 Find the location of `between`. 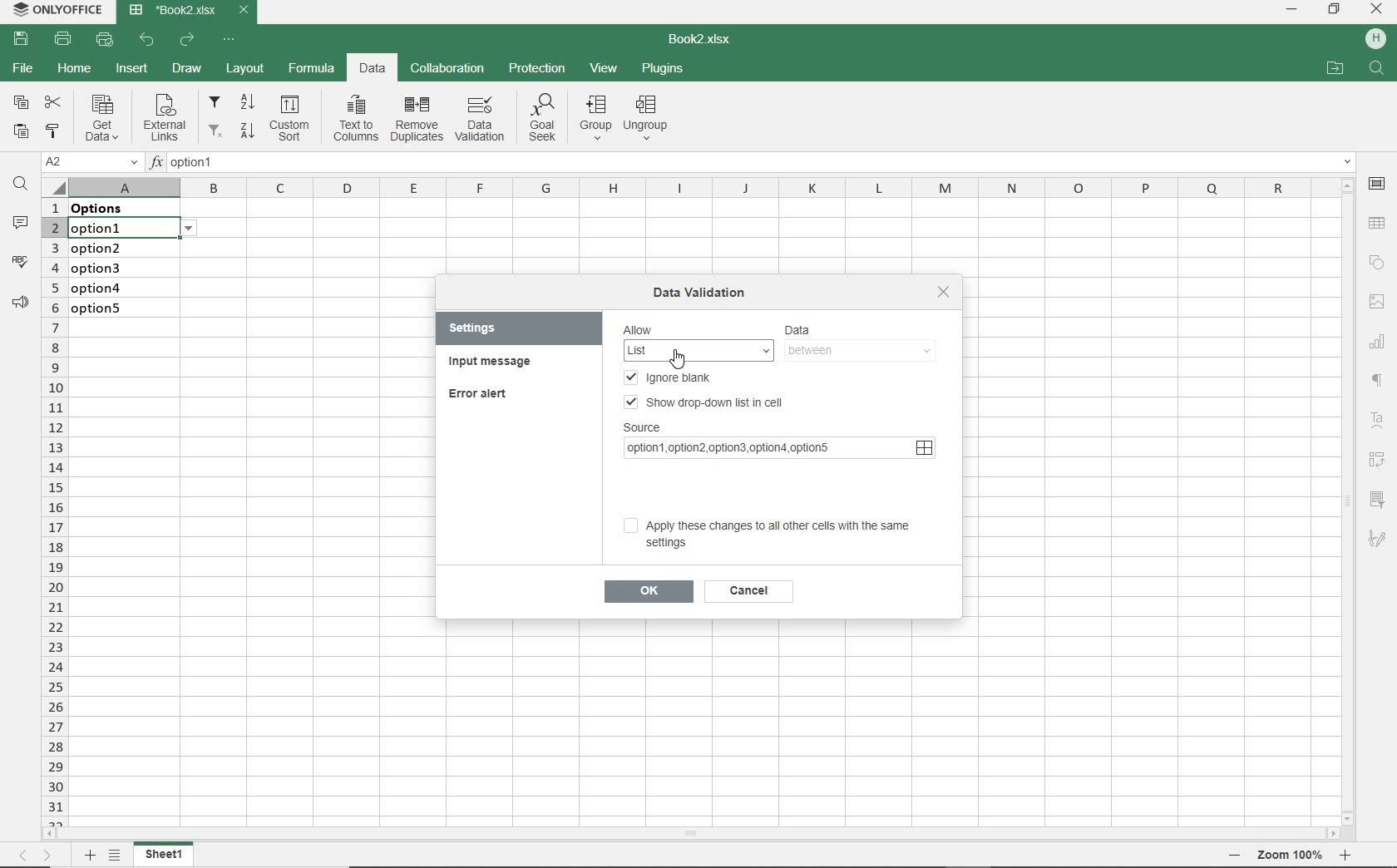

between is located at coordinates (857, 351).